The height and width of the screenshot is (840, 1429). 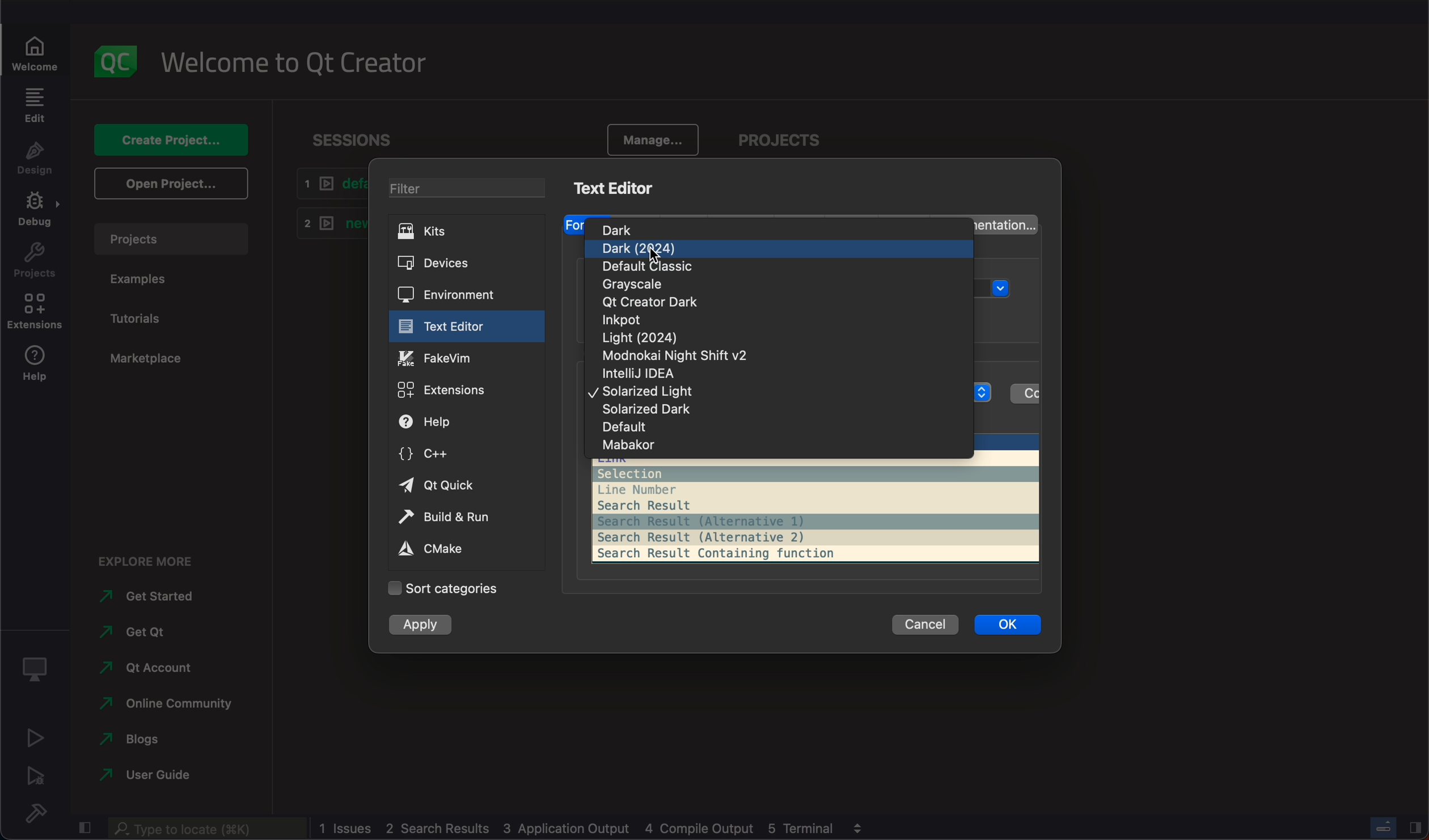 What do you see at coordinates (32, 812) in the screenshot?
I see `build` at bounding box center [32, 812].